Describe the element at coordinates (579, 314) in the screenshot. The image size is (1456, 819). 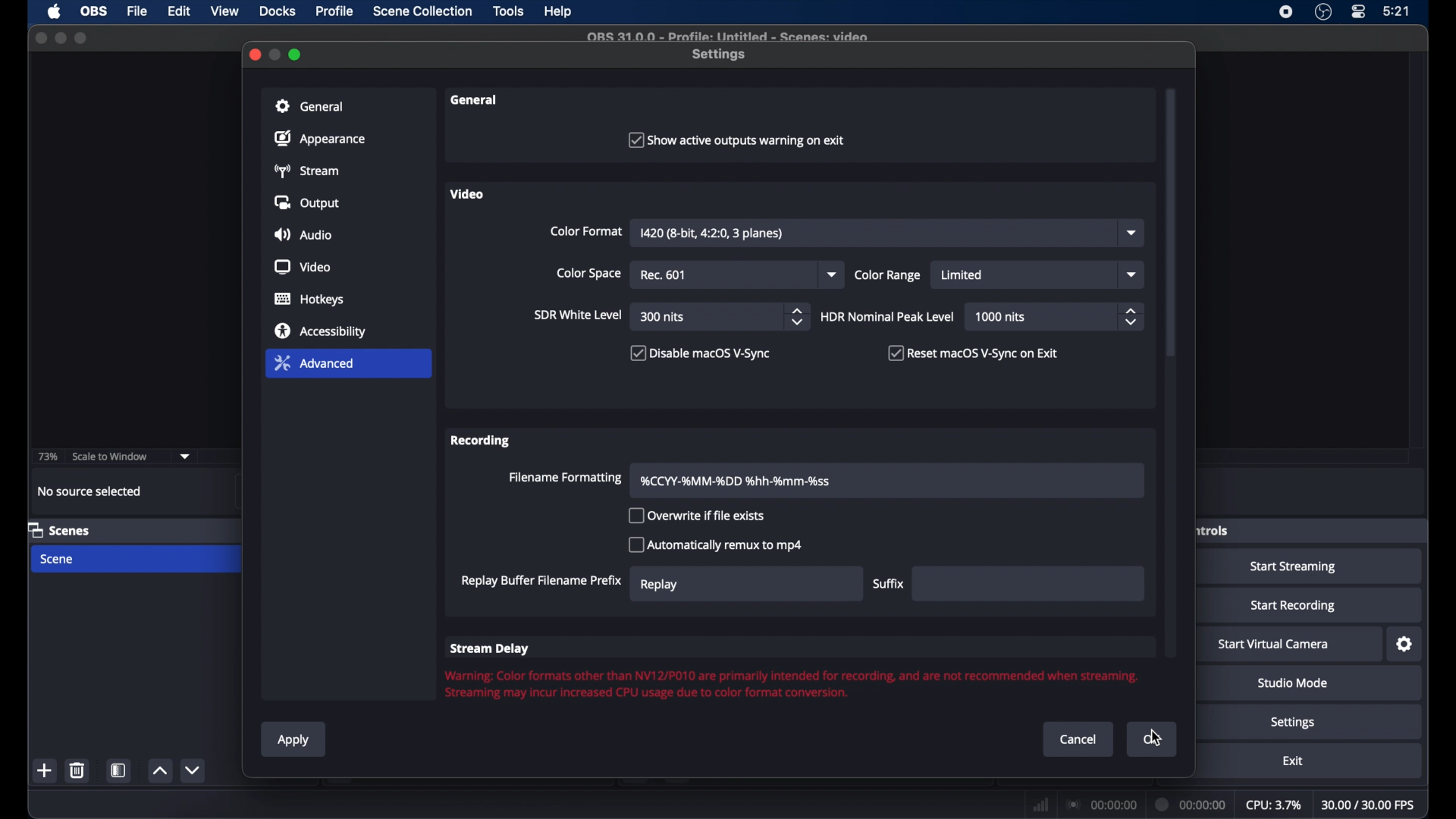
I see `sir white level` at that location.